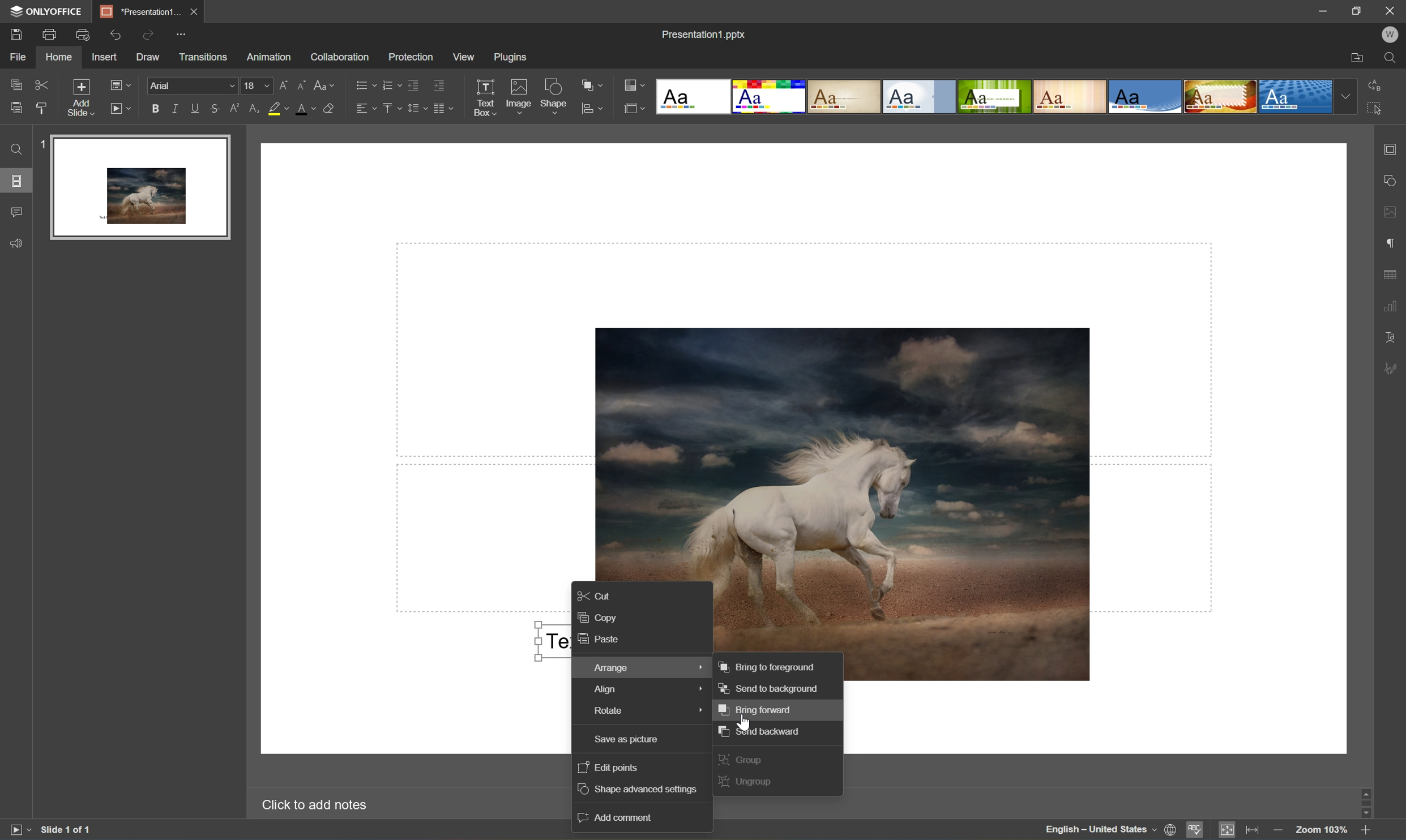  I want to click on Text Box, so click(484, 97).